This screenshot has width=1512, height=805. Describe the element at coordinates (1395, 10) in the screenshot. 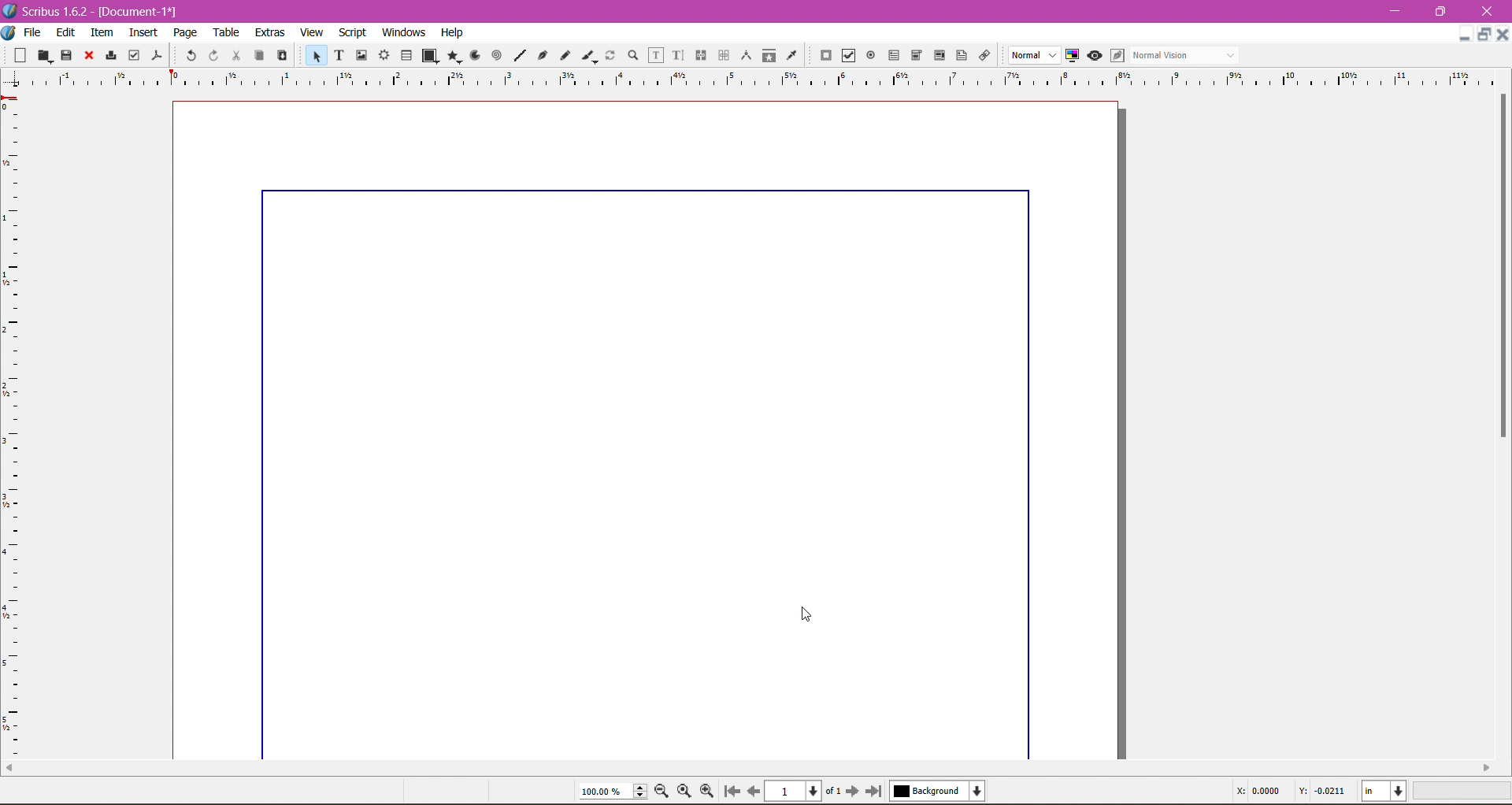

I see `Minimize` at that location.